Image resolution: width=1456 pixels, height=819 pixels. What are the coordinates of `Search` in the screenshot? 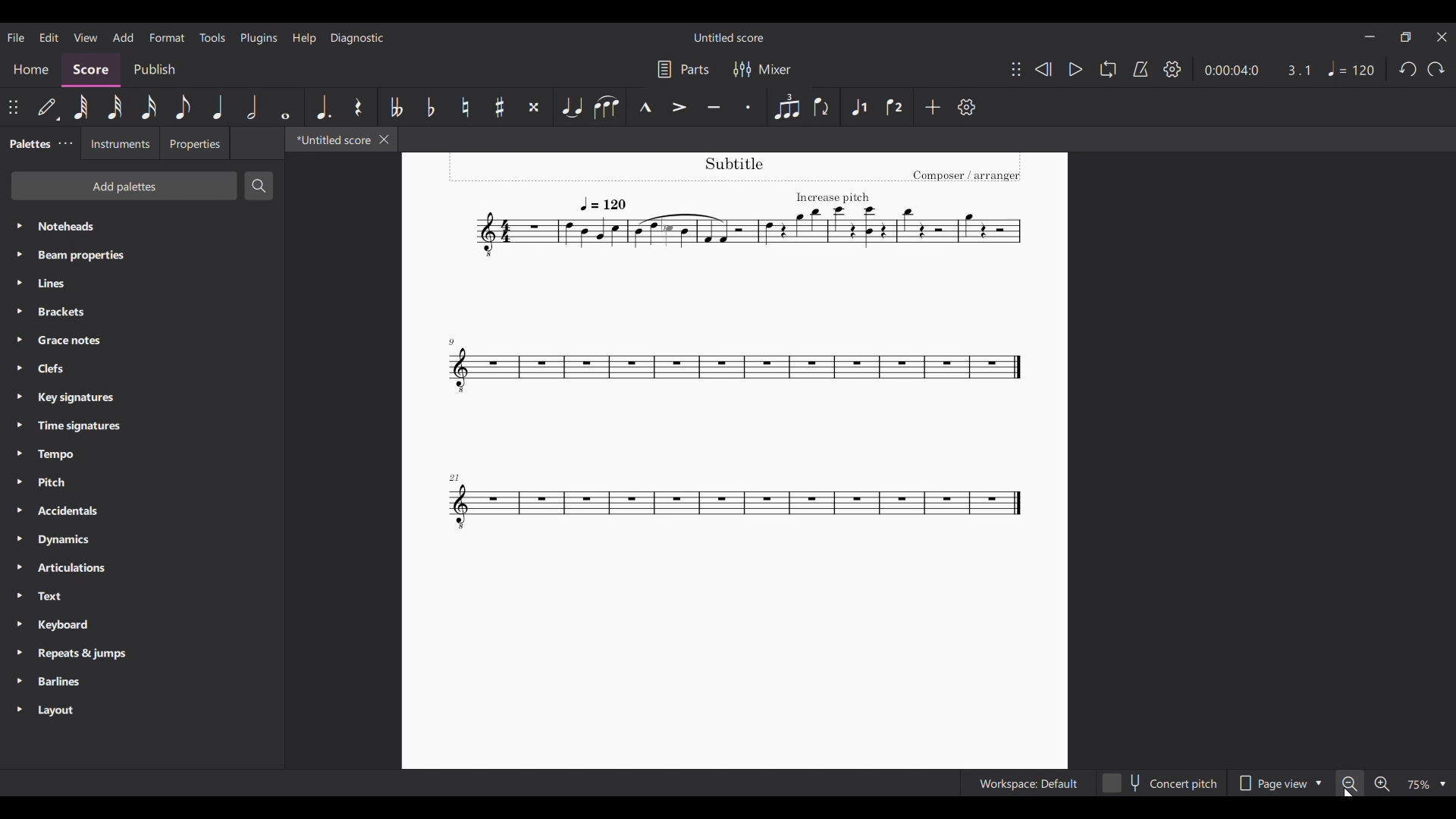 It's located at (259, 186).